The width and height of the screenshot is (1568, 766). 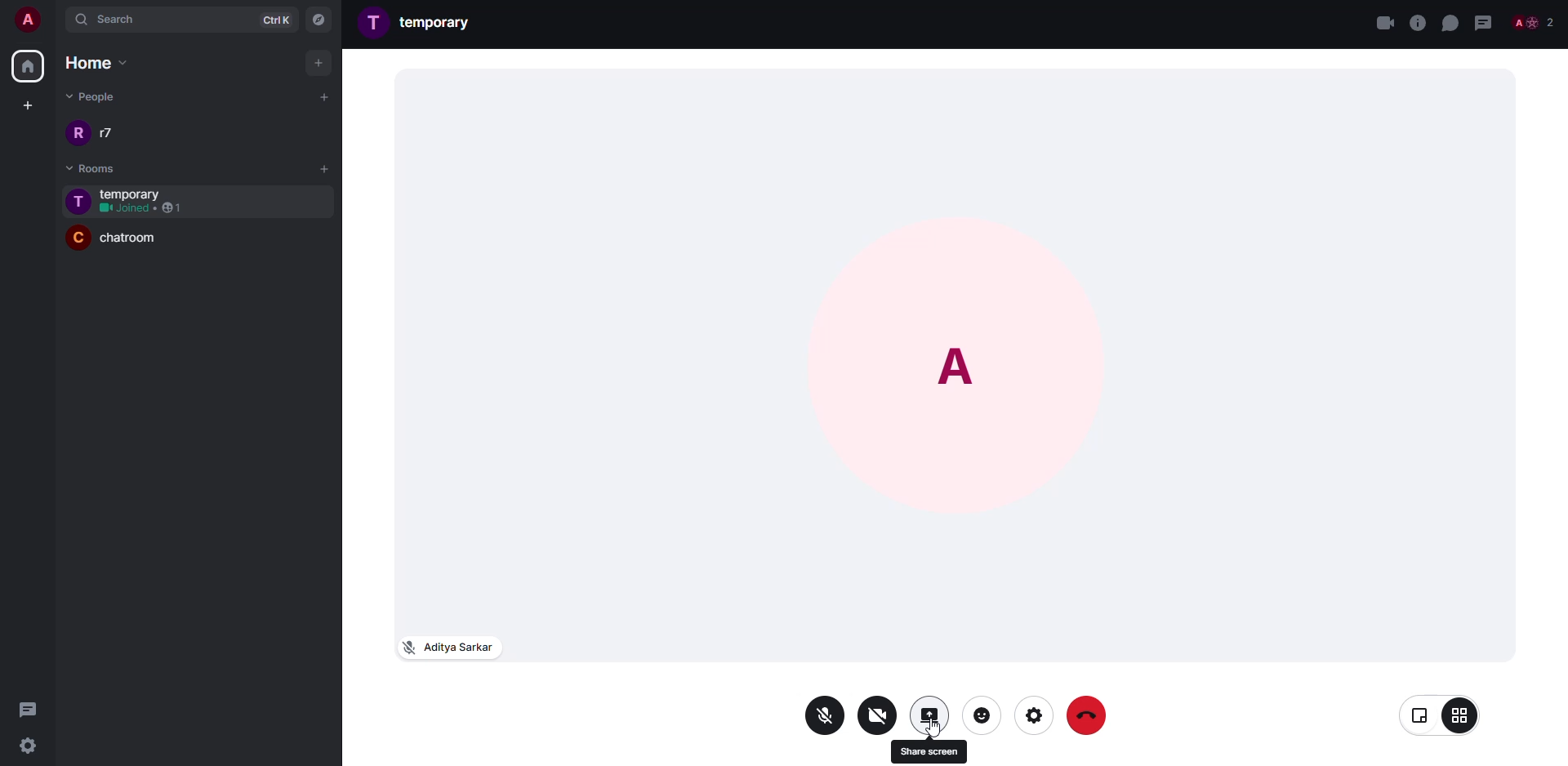 I want to click on end call, so click(x=1090, y=716).